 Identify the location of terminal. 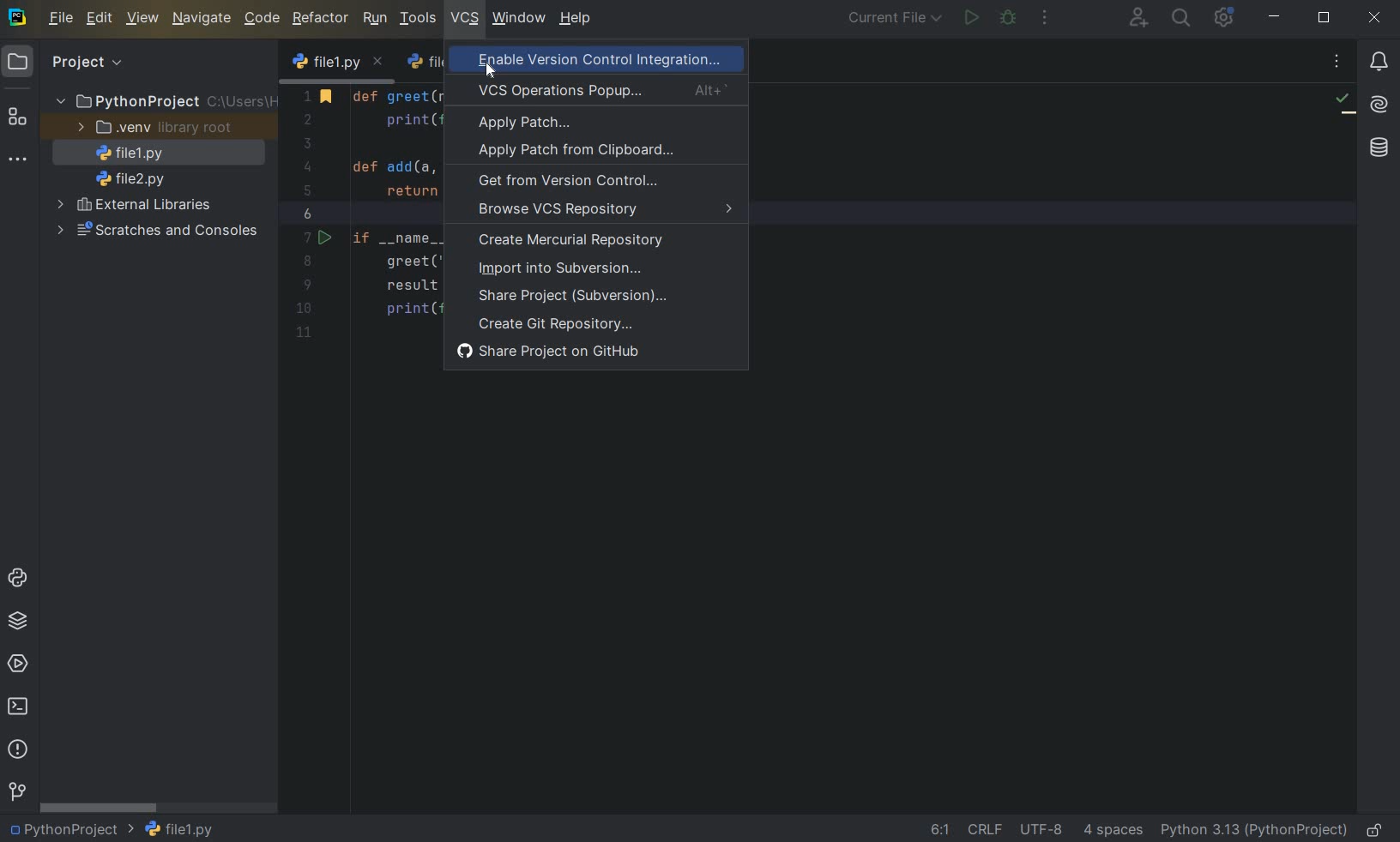
(20, 709).